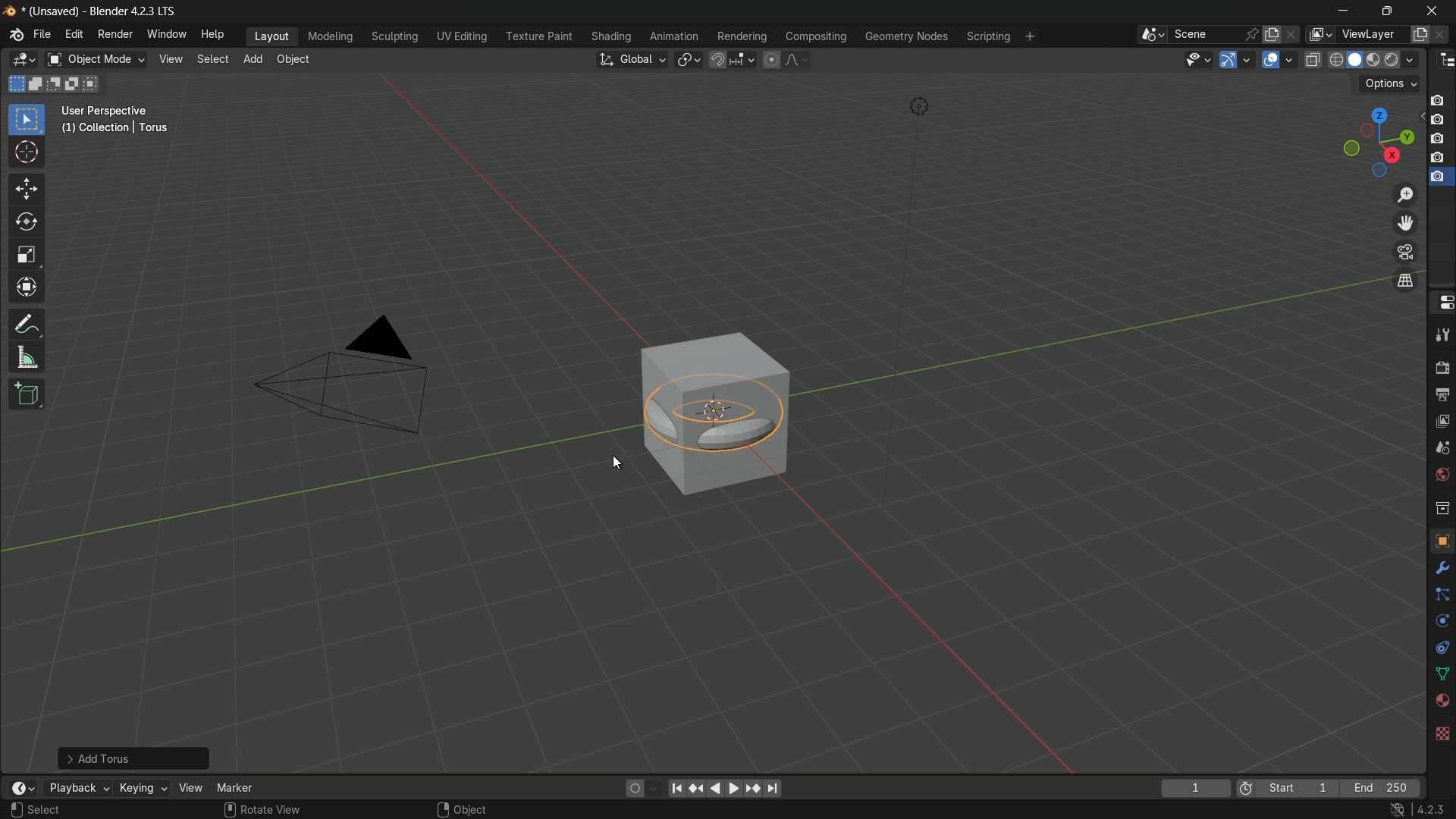  What do you see at coordinates (1405, 194) in the screenshot?
I see `zoom in/out` at bounding box center [1405, 194].